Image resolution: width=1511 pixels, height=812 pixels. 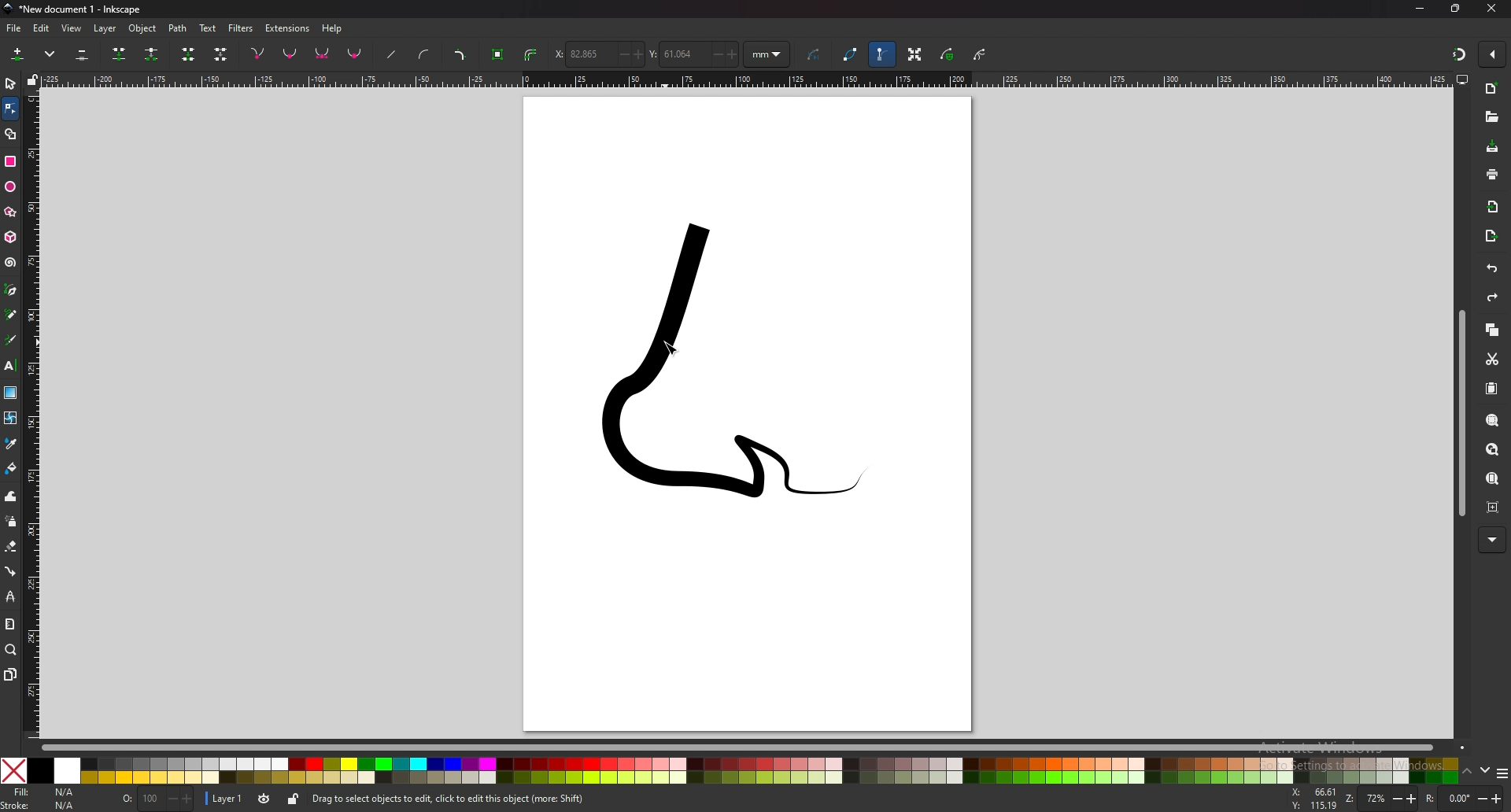 I want to click on vertical scale, so click(x=31, y=413).